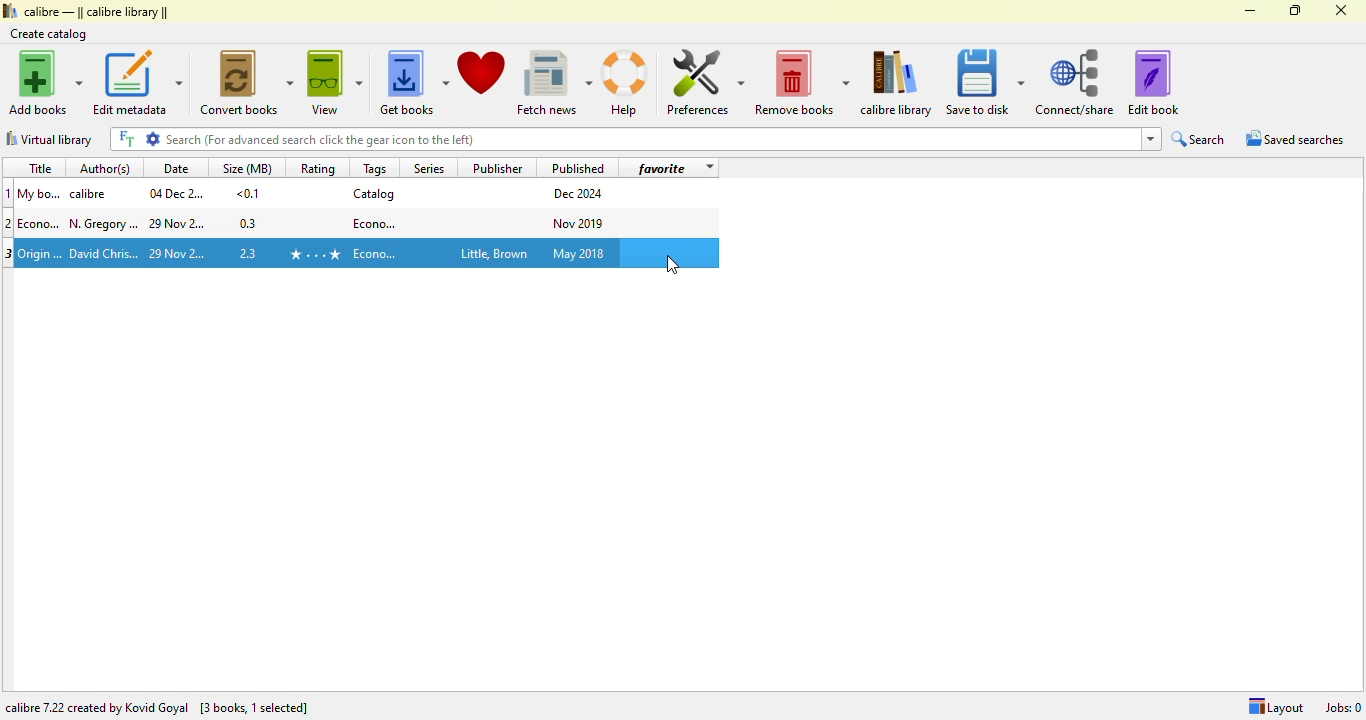 The width and height of the screenshot is (1366, 720). I want to click on save to disk, so click(985, 83).